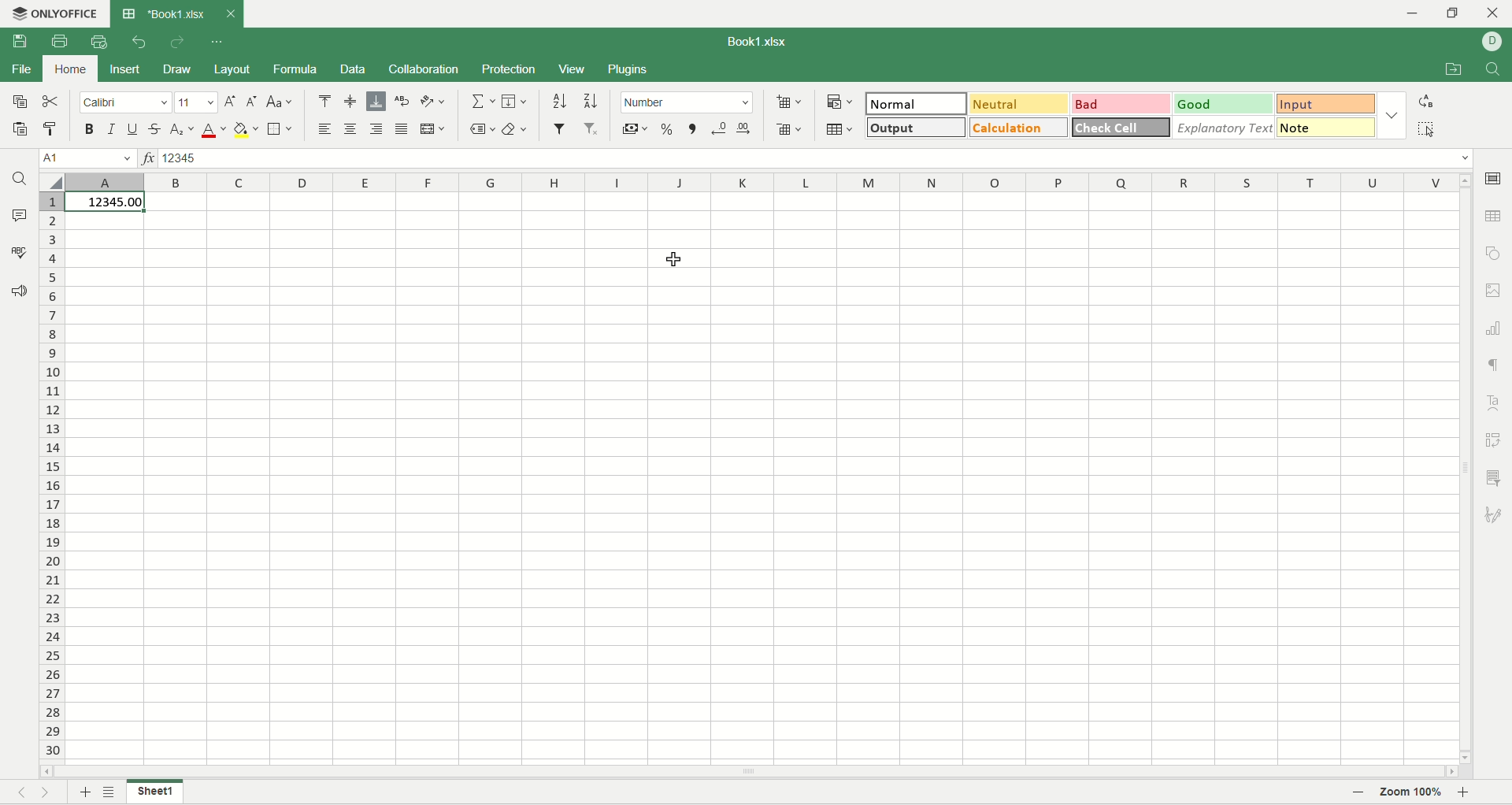 The width and height of the screenshot is (1512, 805). What do you see at coordinates (403, 129) in the screenshot?
I see `justified` at bounding box center [403, 129].